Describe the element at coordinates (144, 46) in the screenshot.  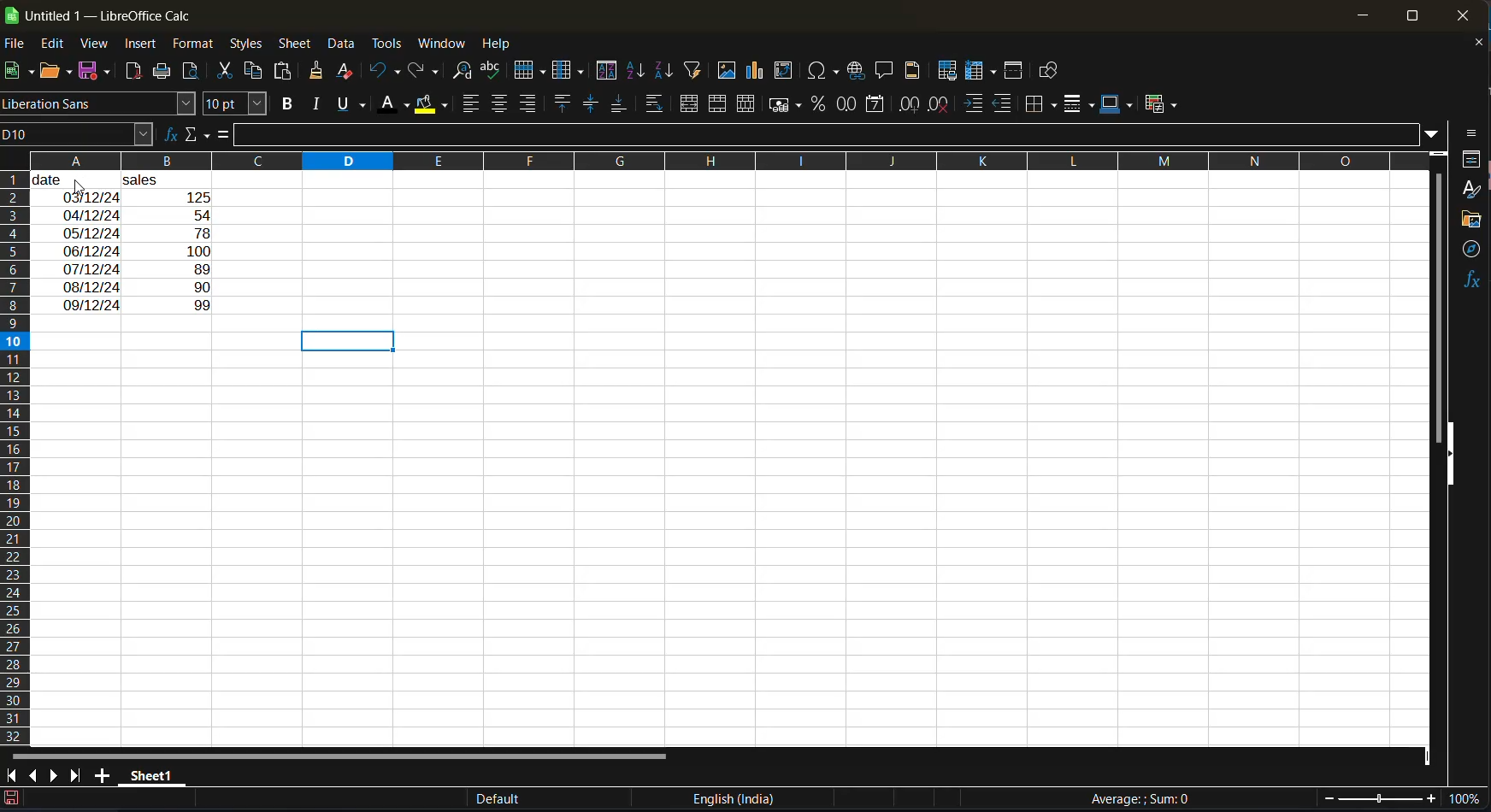
I see `insert` at that location.